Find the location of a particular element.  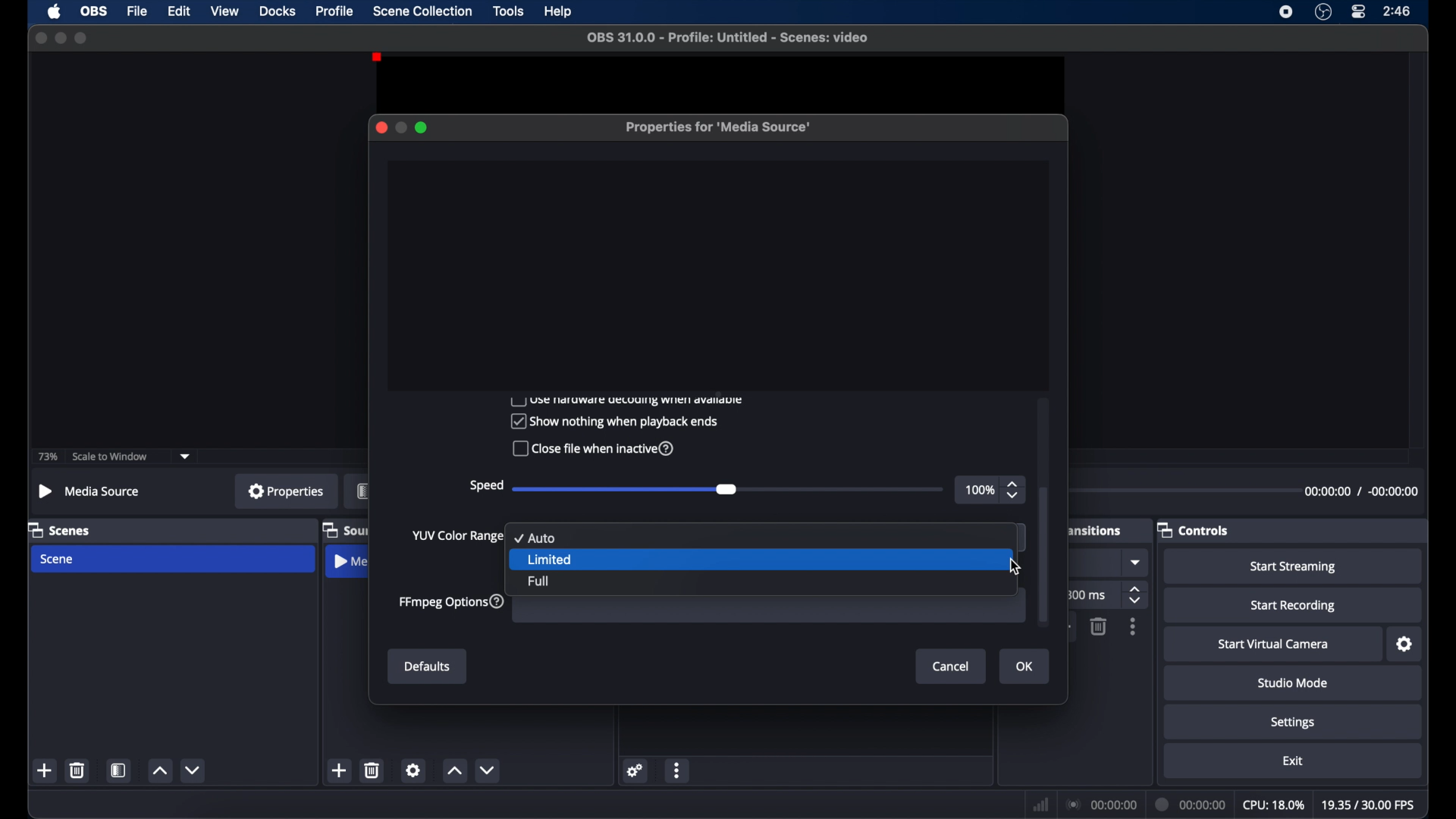

docks is located at coordinates (278, 11).